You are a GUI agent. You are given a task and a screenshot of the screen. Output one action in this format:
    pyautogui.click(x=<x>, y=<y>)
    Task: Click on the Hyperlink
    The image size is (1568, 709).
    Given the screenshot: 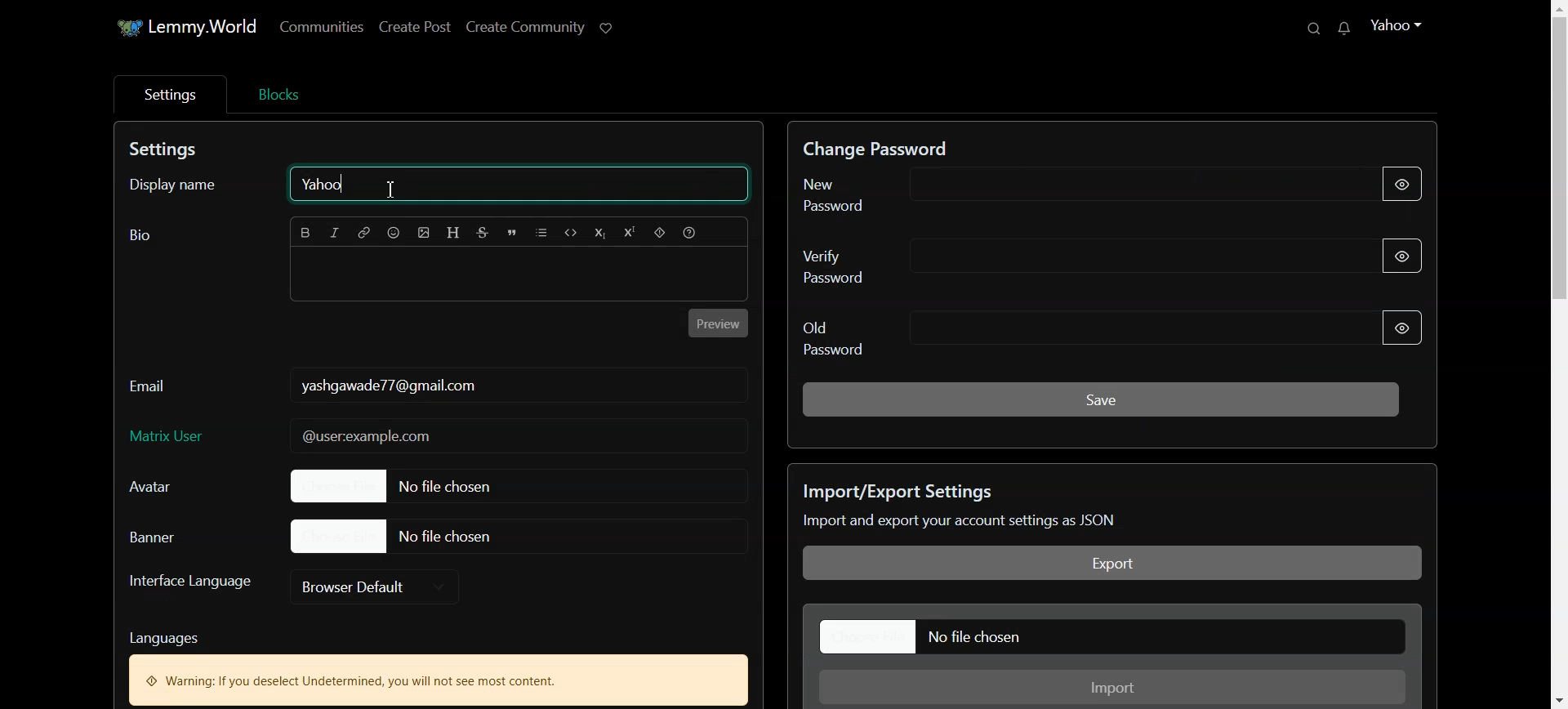 What is the action you would take?
    pyautogui.click(x=364, y=234)
    